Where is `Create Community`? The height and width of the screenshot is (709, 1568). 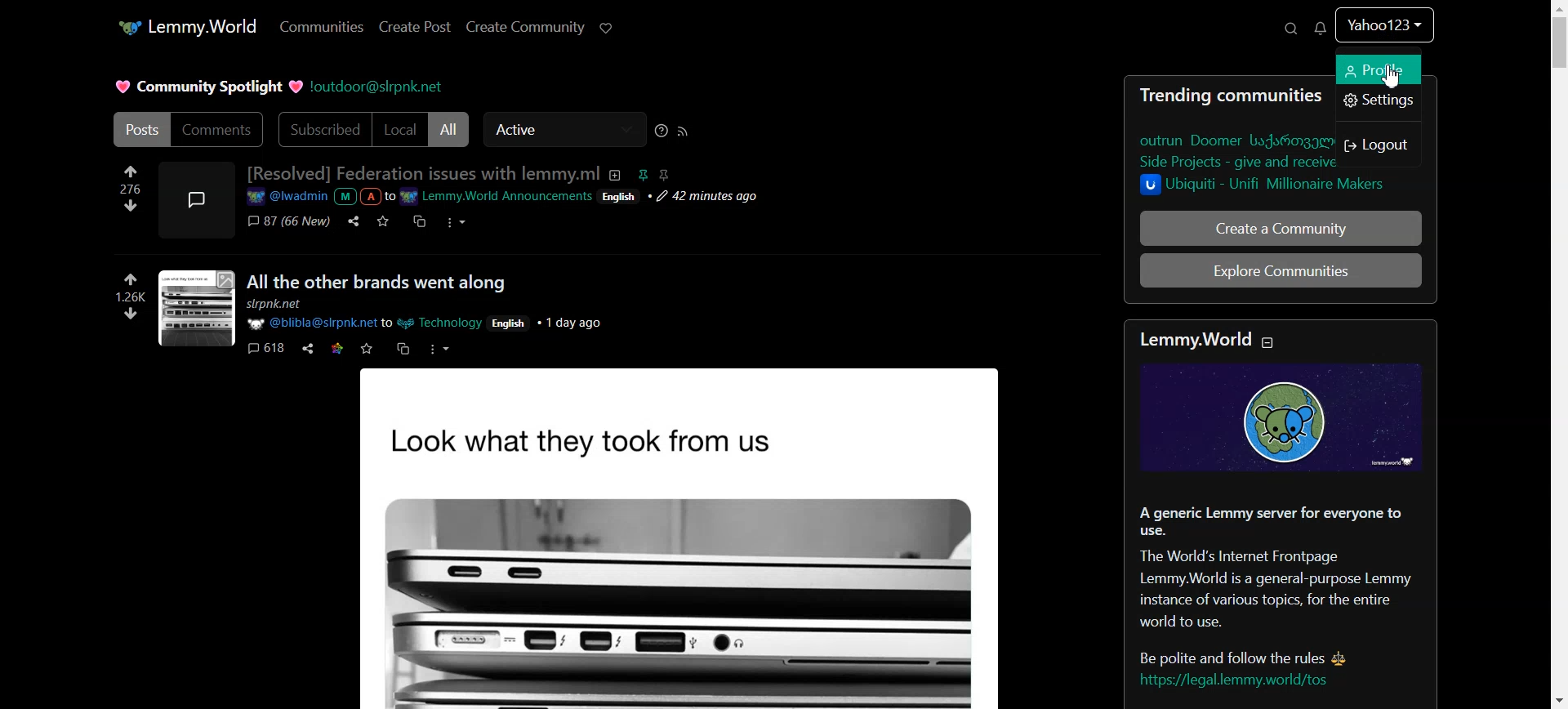 Create Community is located at coordinates (525, 27).